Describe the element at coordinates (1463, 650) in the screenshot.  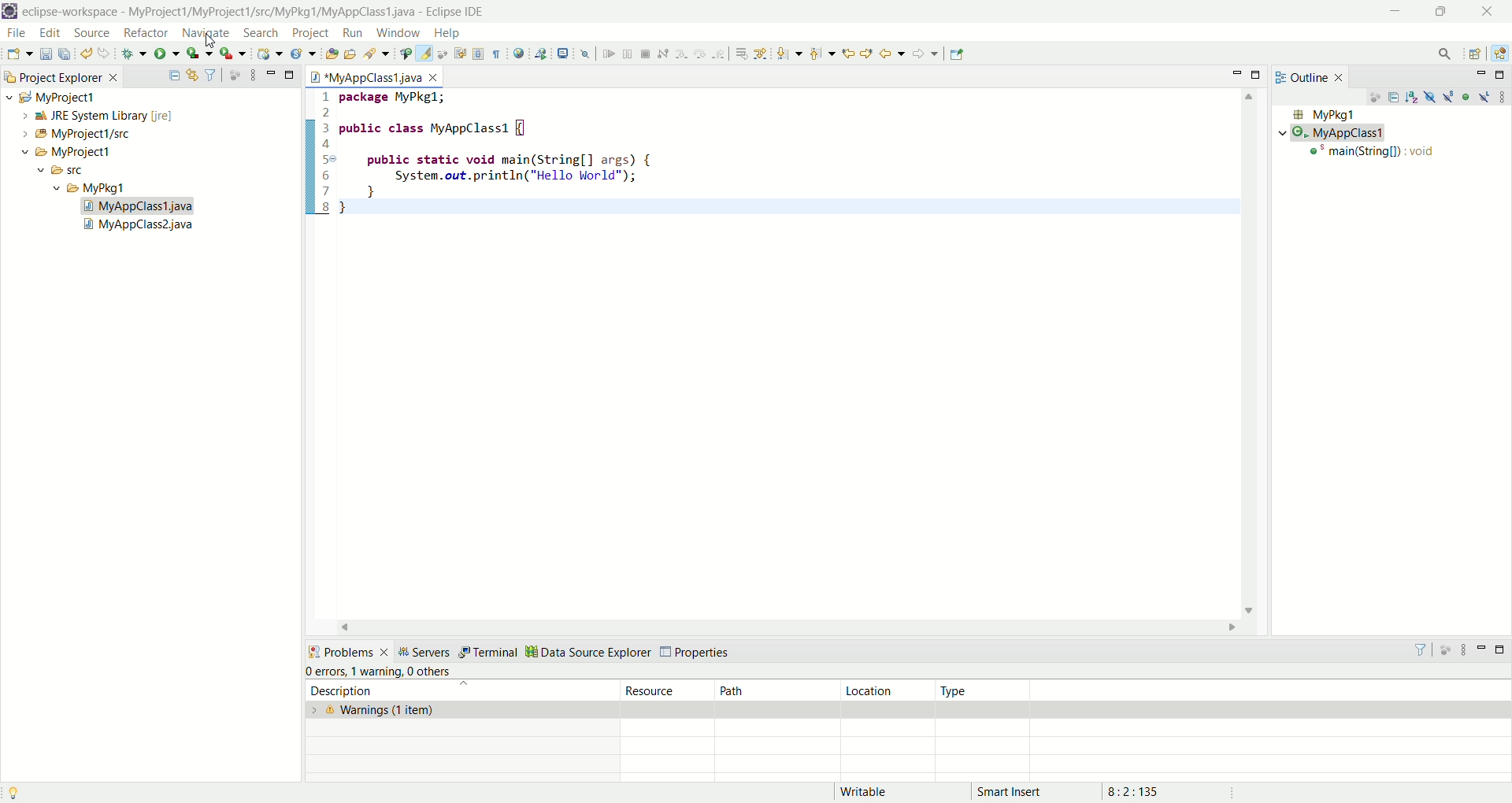
I see `view menu` at that location.